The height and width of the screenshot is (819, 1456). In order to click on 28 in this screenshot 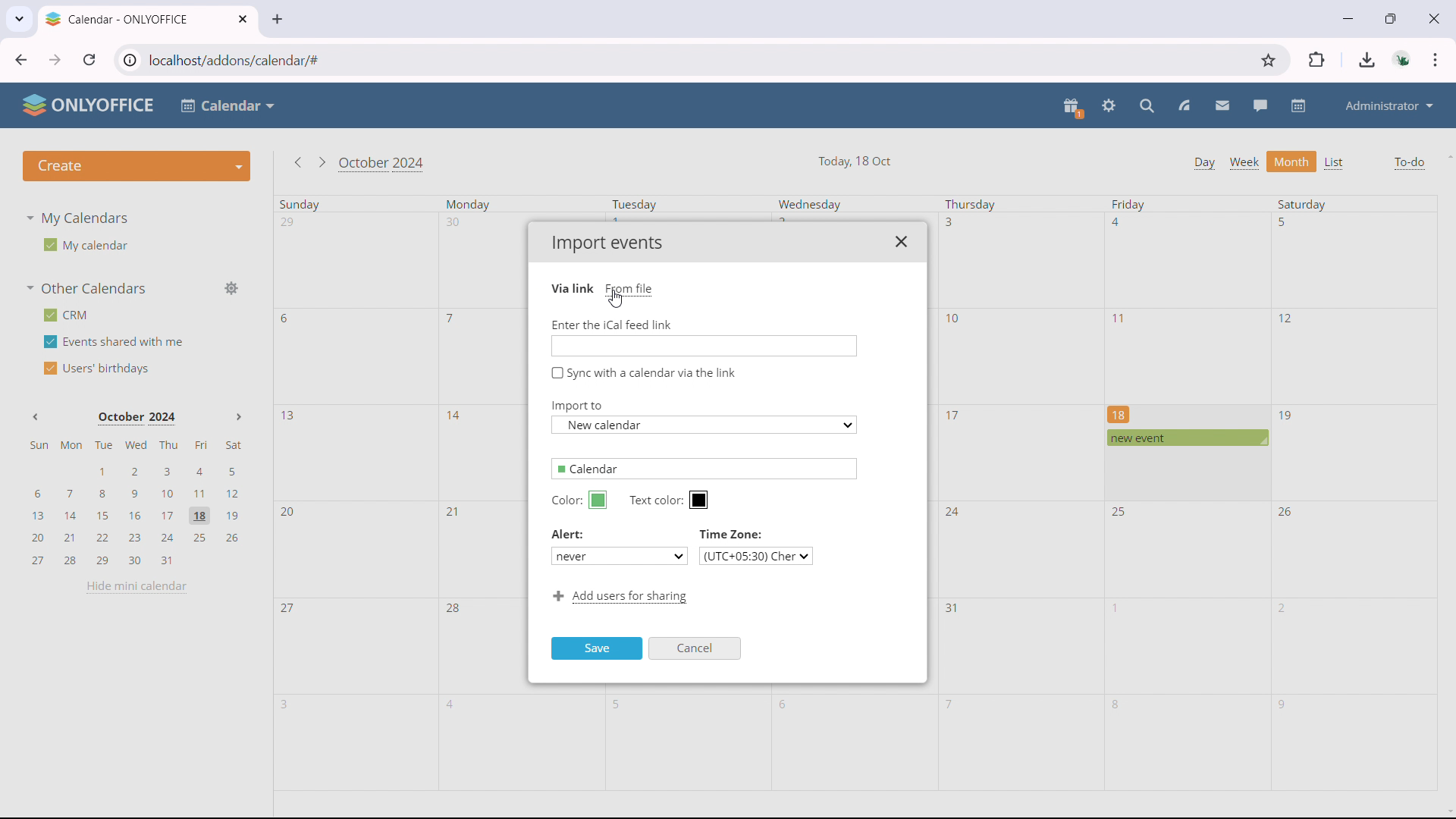, I will do `click(454, 610)`.